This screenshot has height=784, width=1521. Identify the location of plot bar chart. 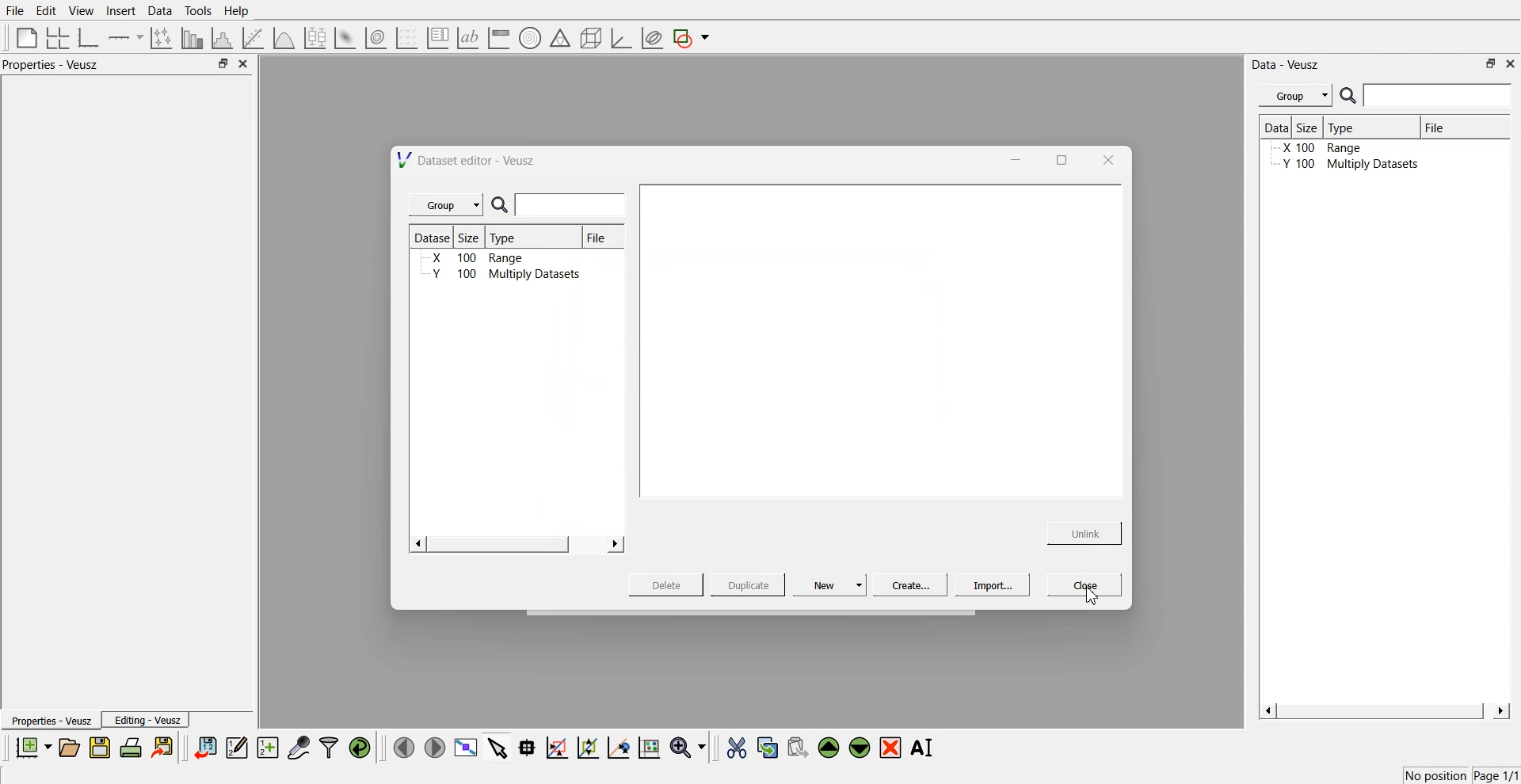
(192, 39).